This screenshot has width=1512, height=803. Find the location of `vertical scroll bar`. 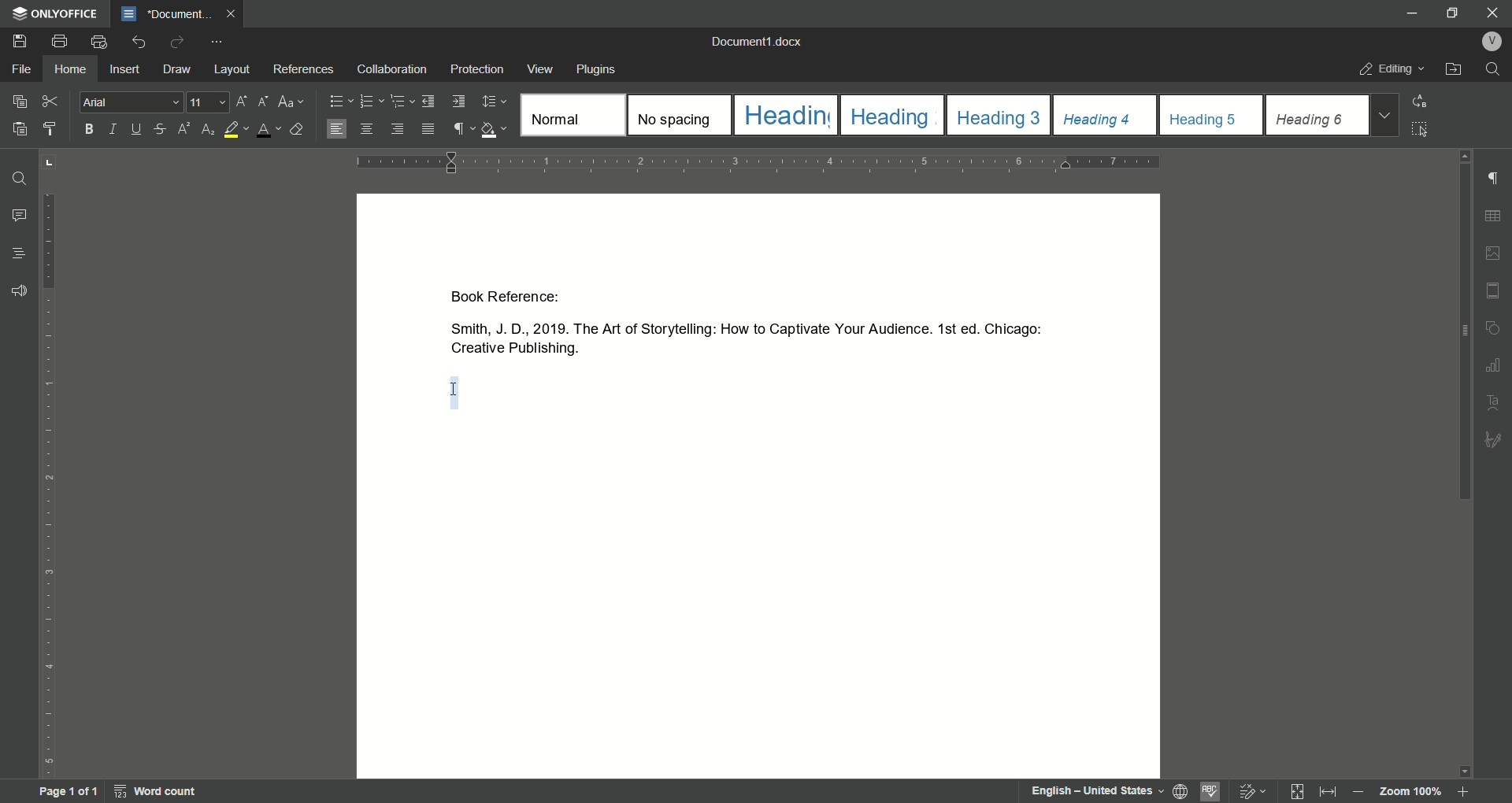

vertical scroll bar is located at coordinates (1466, 335).